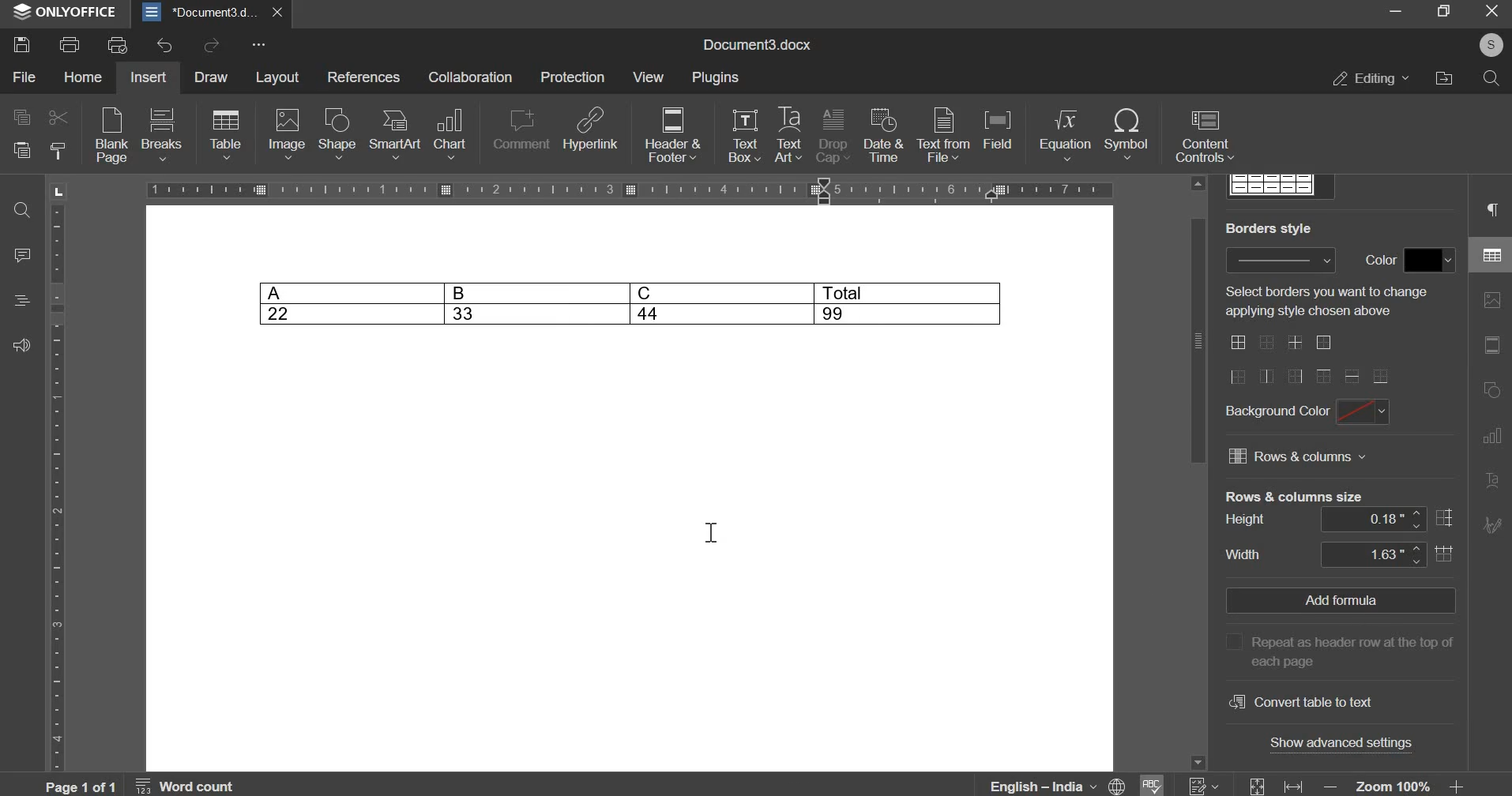 This screenshot has width=1512, height=796. I want to click on language, so click(1059, 784).